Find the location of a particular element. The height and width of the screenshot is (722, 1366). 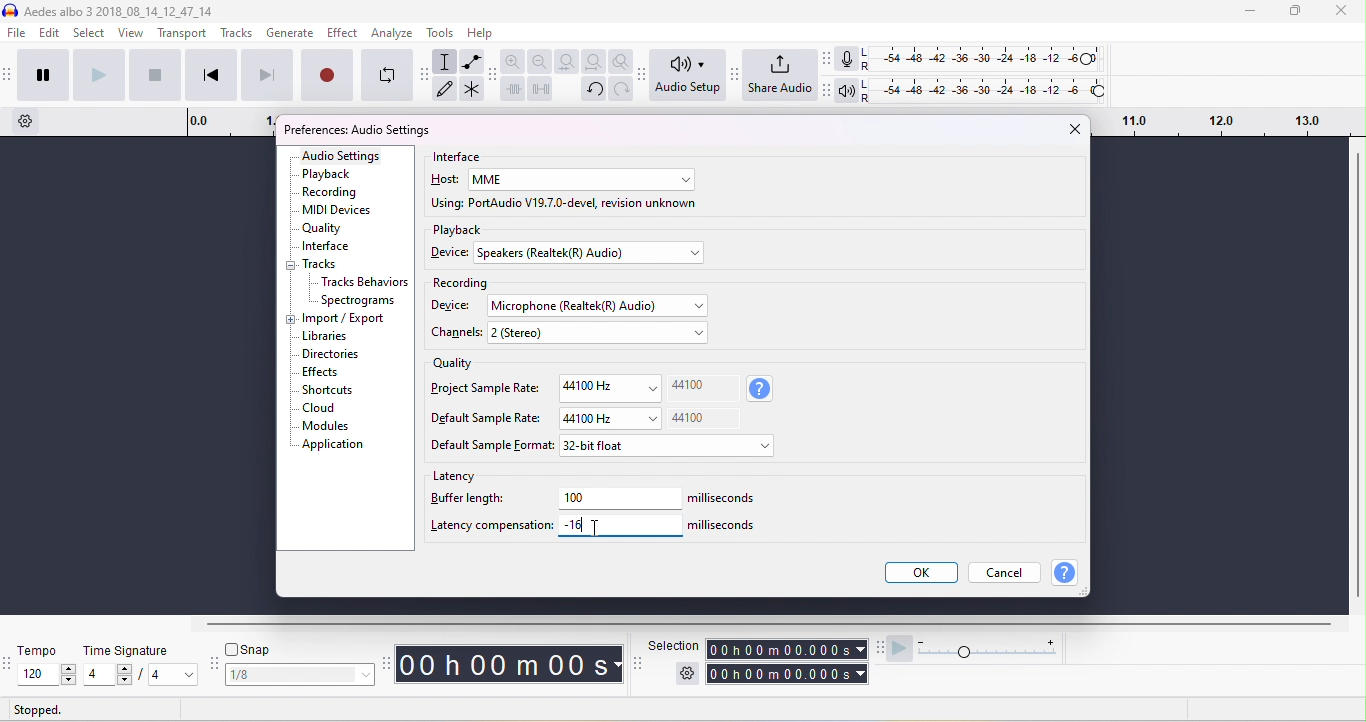

audacity play at speed toolbar is located at coordinates (881, 648).